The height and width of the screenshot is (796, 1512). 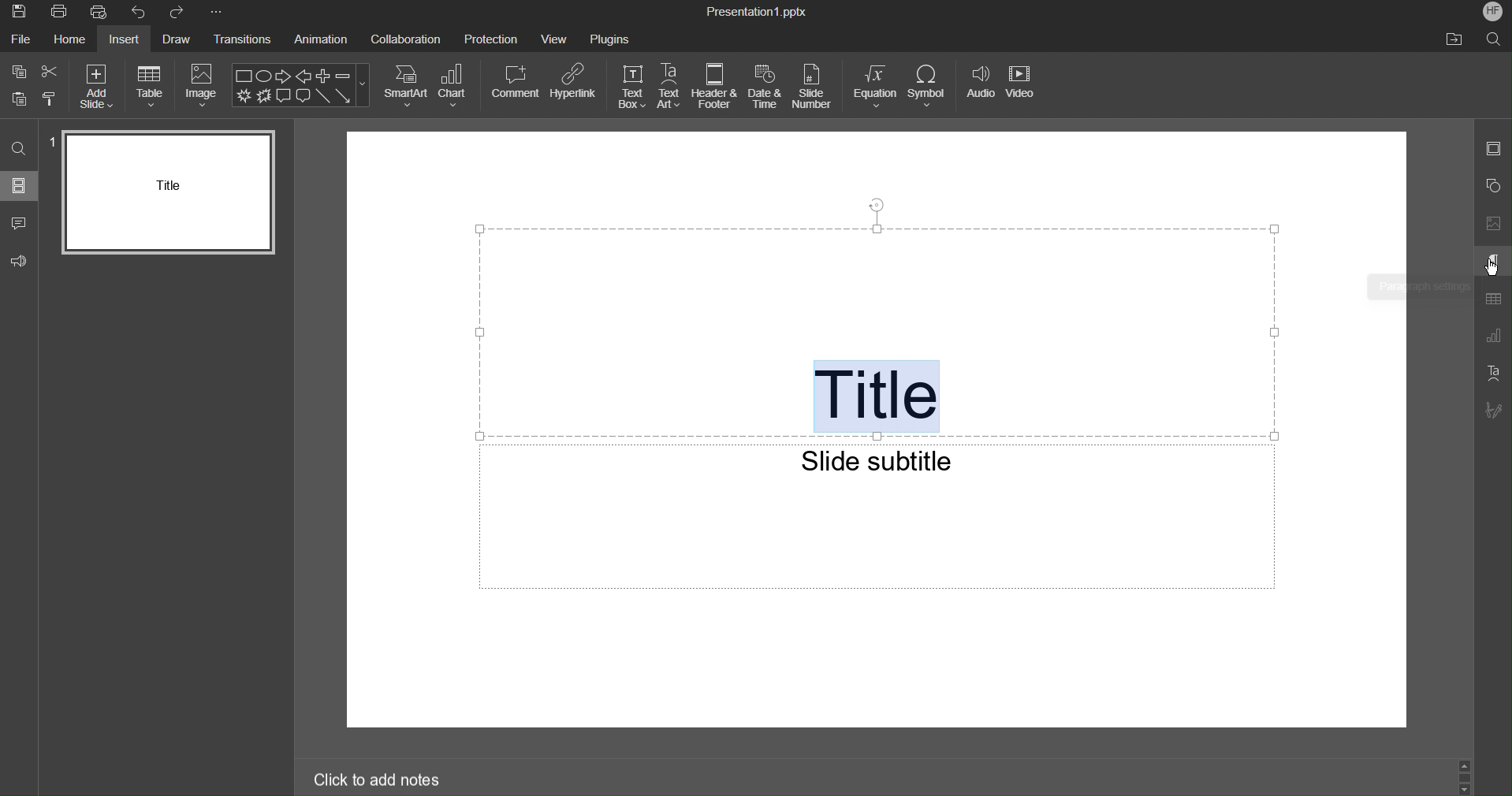 What do you see at coordinates (491, 41) in the screenshot?
I see `Protection` at bounding box center [491, 41].